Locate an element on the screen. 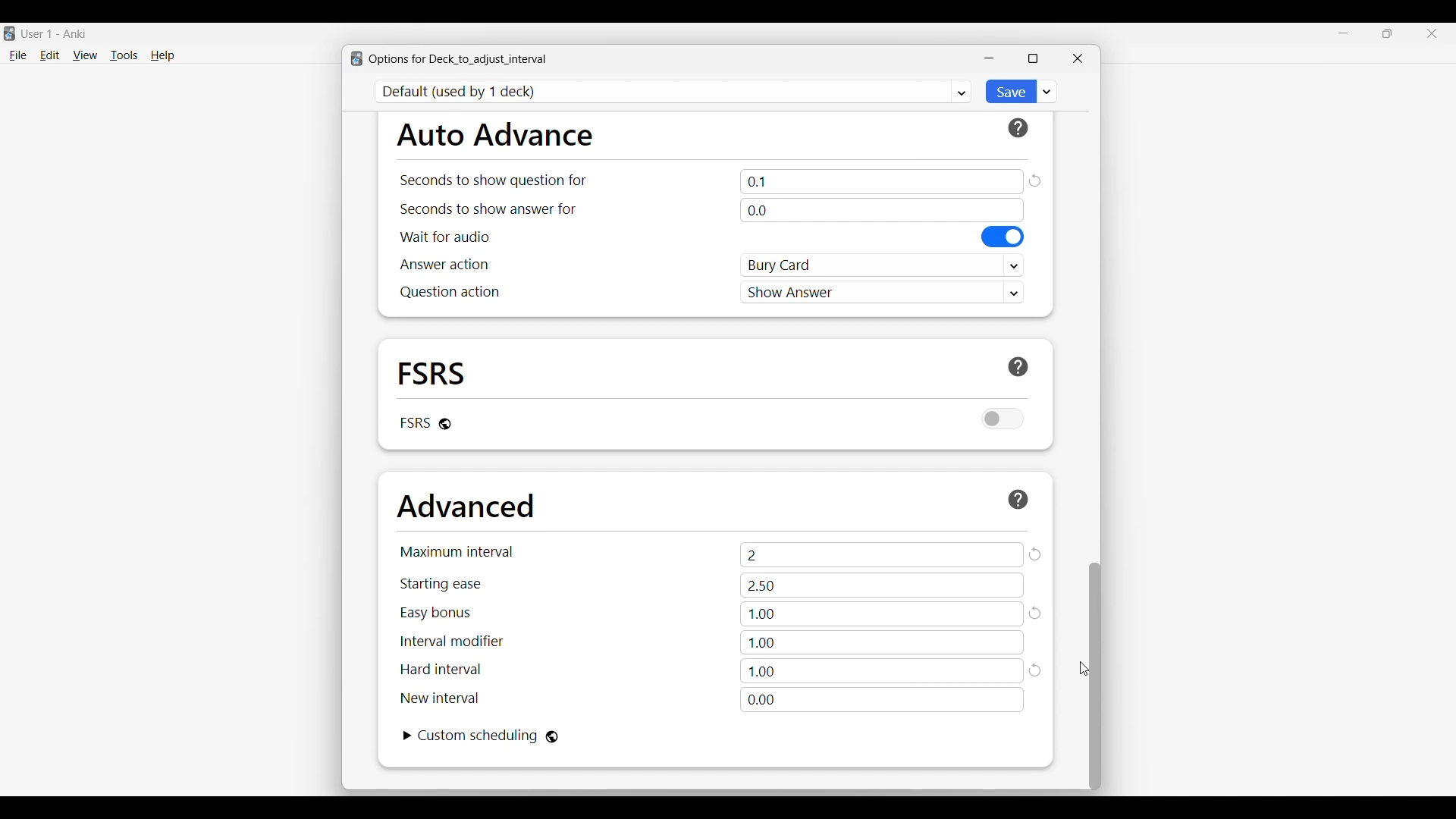 Image resolution: width=1456 pixels, height=819 pixels. Toggle to wait for audio is located at coordinates (1003, 237).